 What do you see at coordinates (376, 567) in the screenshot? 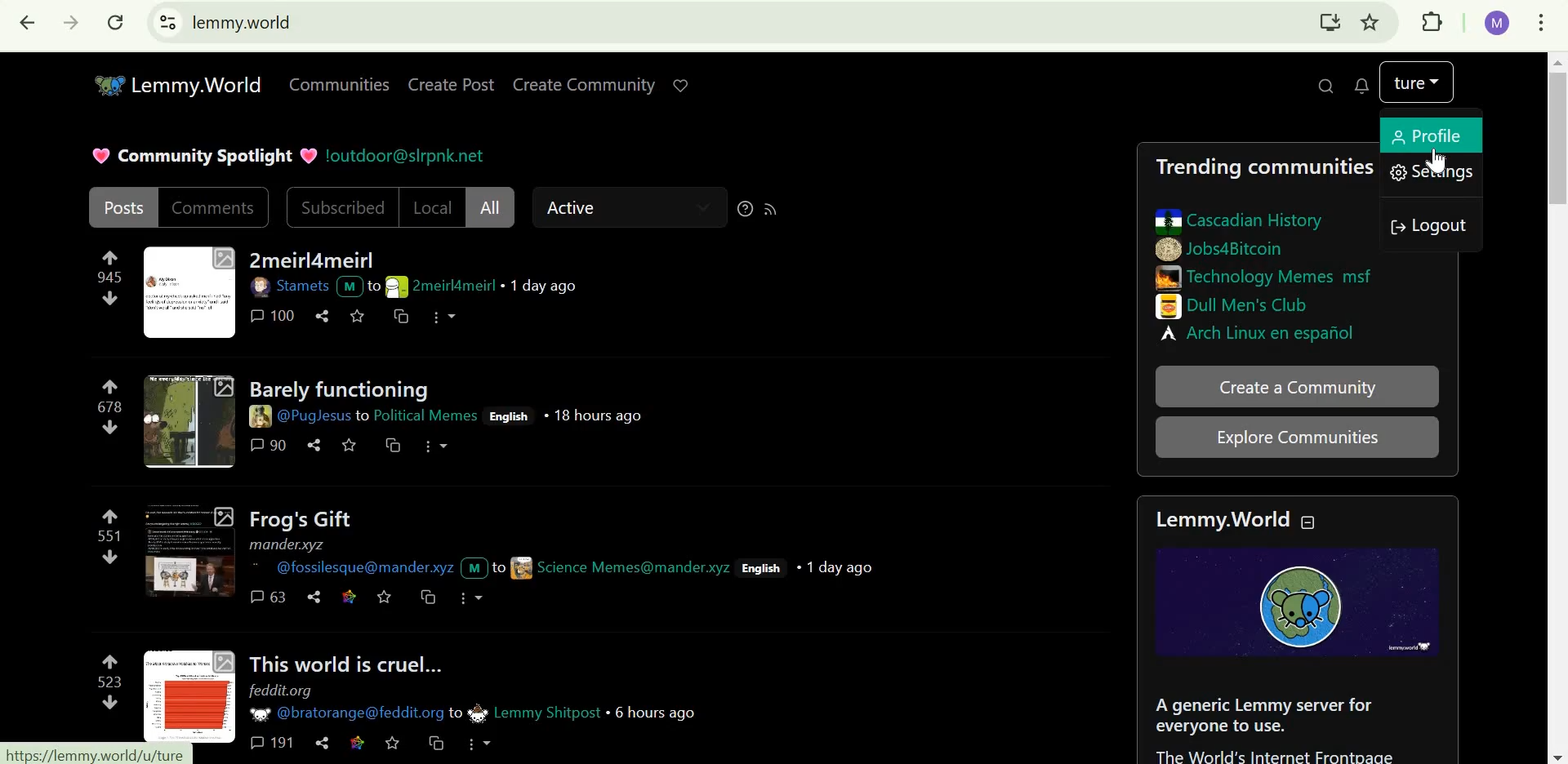
I see `user ID` at bounding box center [376, 567].